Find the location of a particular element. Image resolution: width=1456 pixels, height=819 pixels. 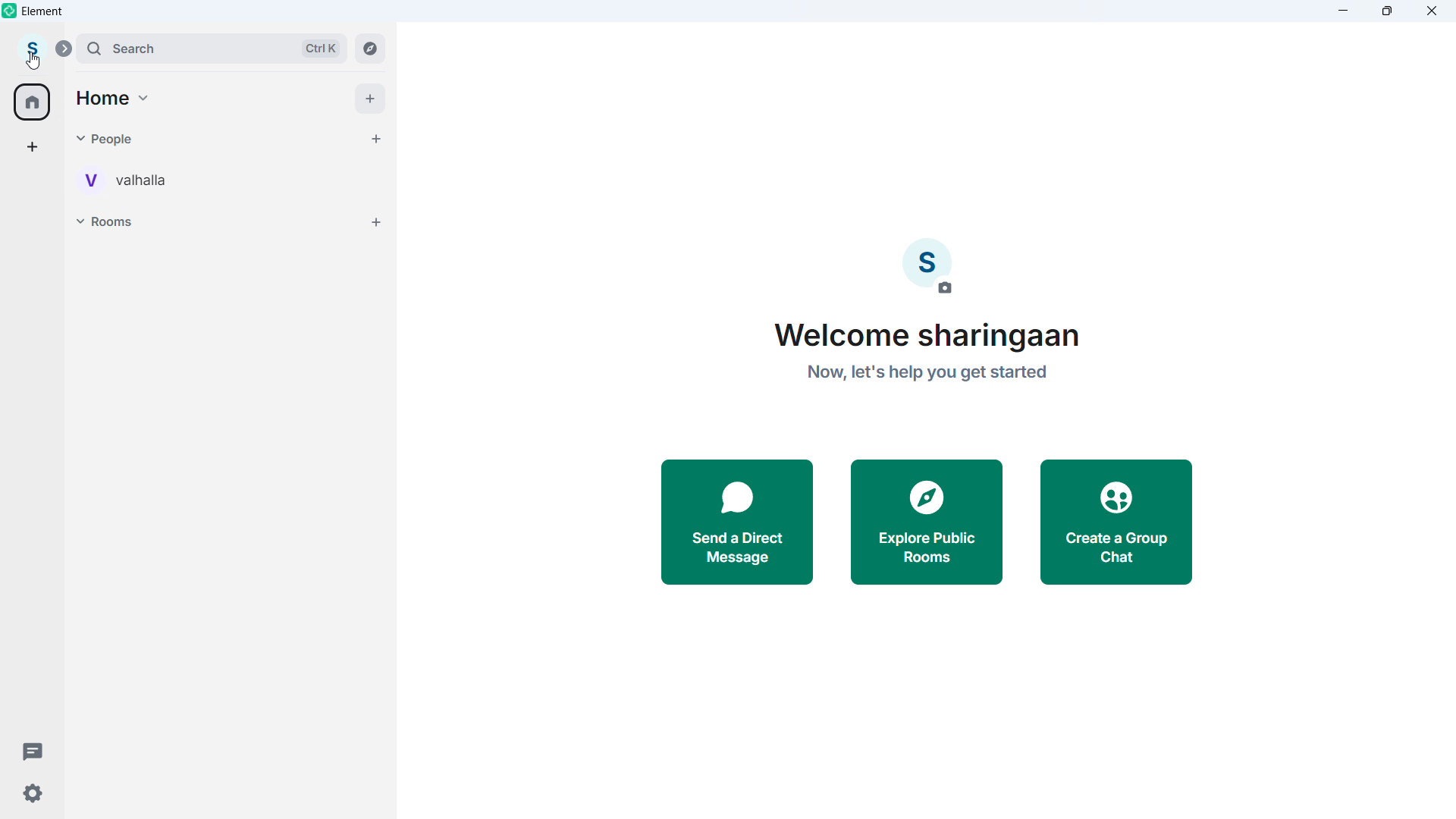

Home  is located at coordinates (115, 99).